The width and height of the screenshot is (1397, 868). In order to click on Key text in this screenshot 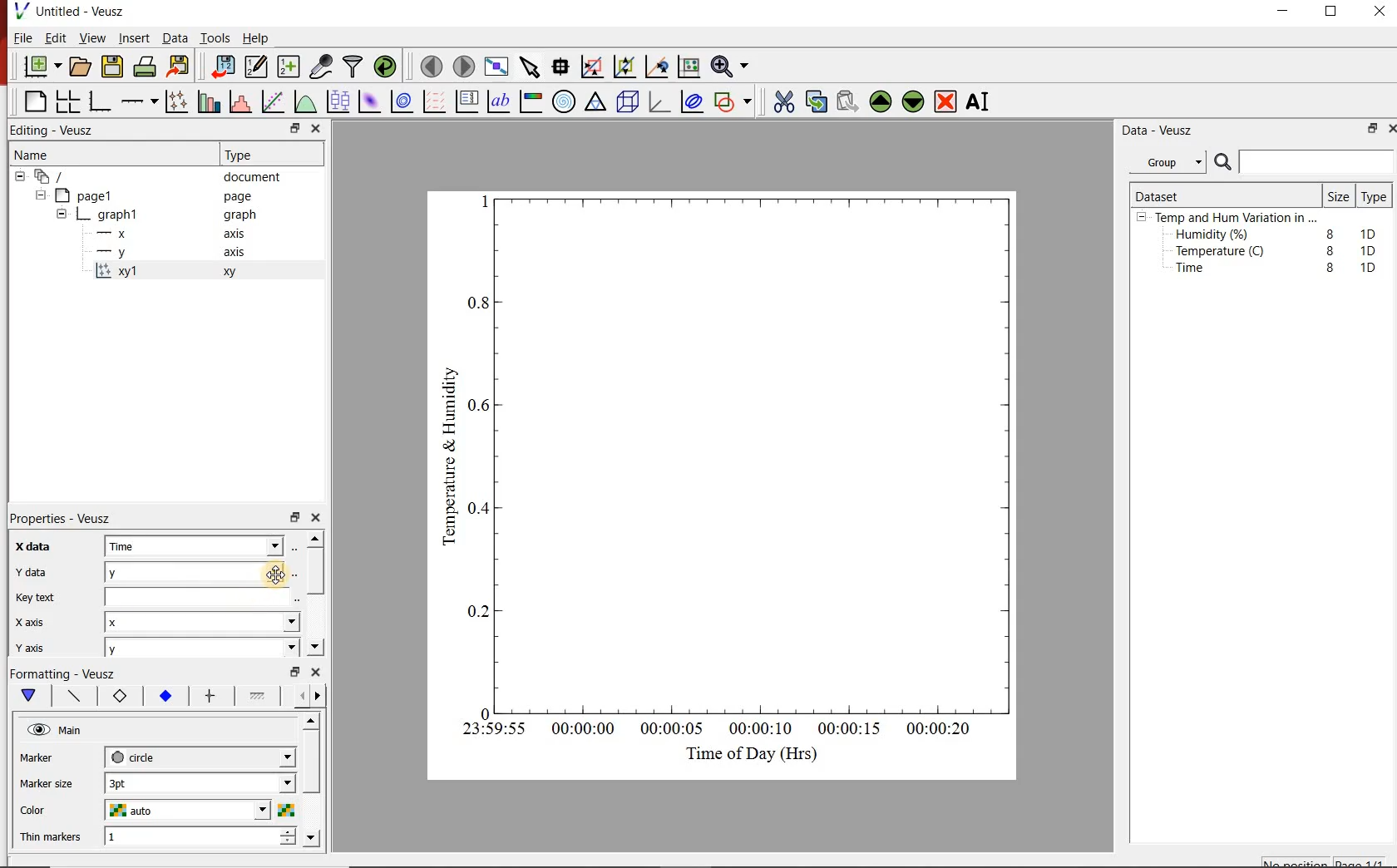, I will do `click(144, 599)`.